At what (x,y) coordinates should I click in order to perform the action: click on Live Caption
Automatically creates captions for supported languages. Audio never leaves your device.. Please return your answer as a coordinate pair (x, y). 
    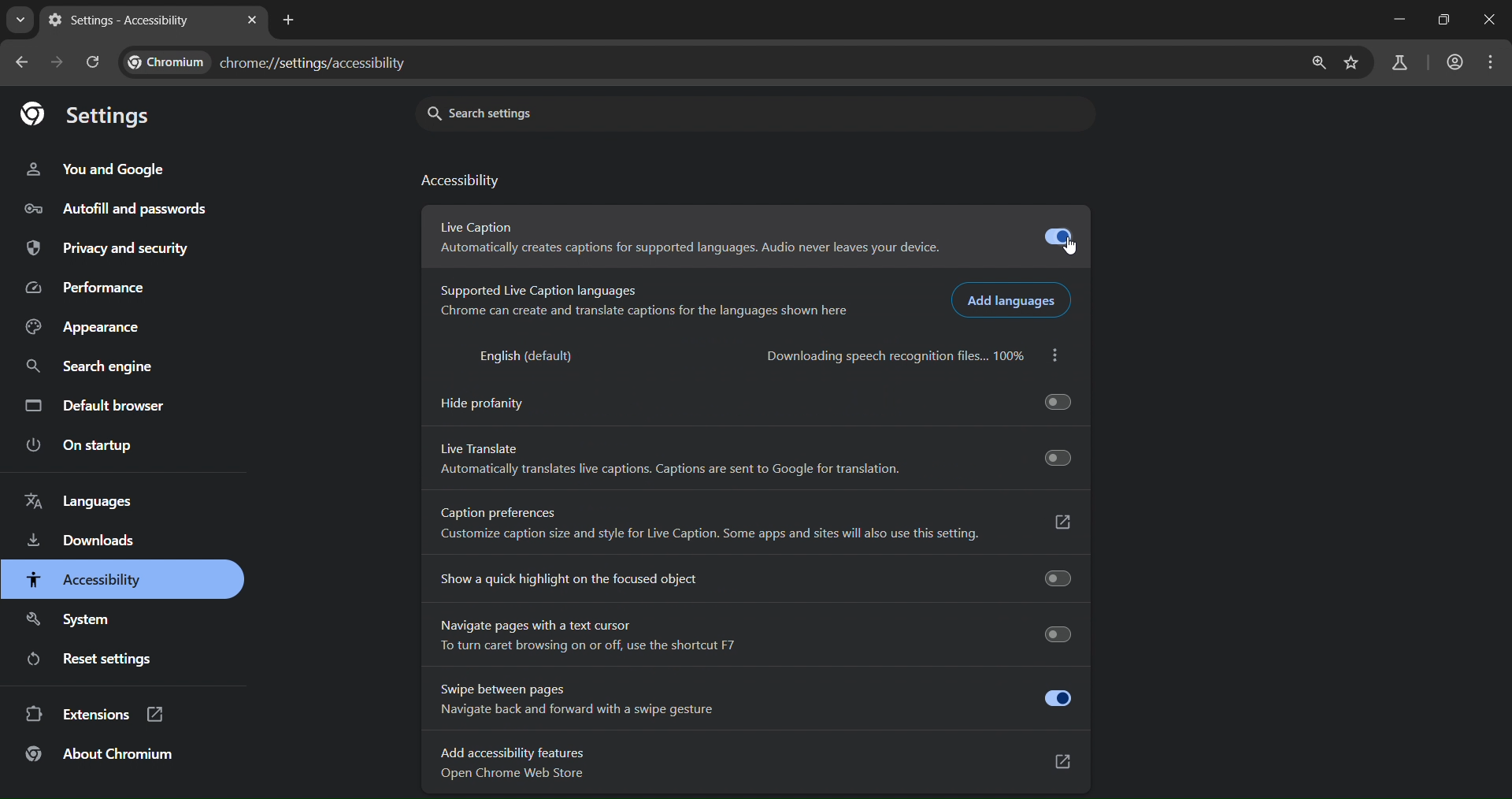
    Looking at the image, I should click on (756, 235).